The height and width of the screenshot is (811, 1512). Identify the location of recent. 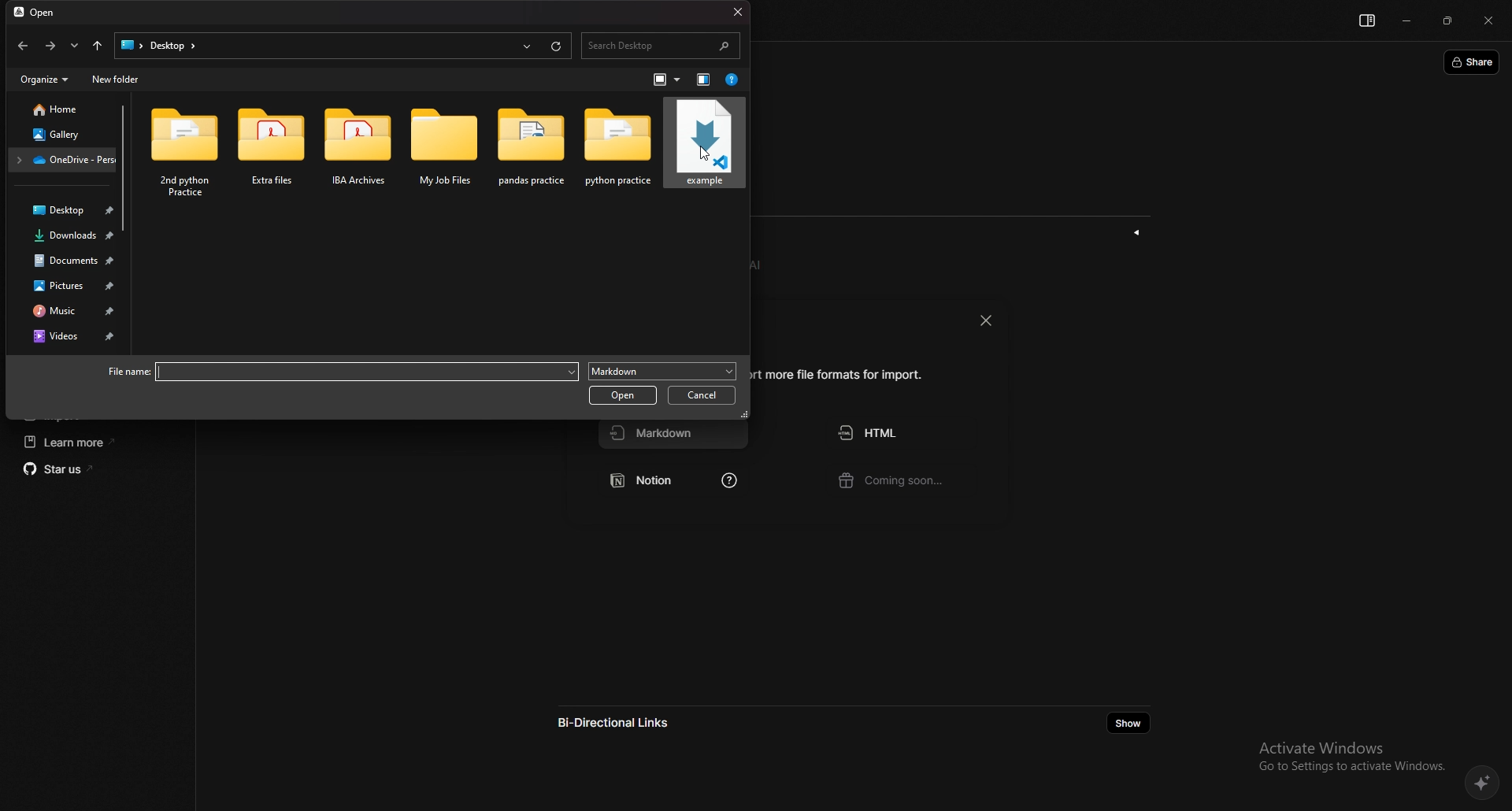
(74, 46).